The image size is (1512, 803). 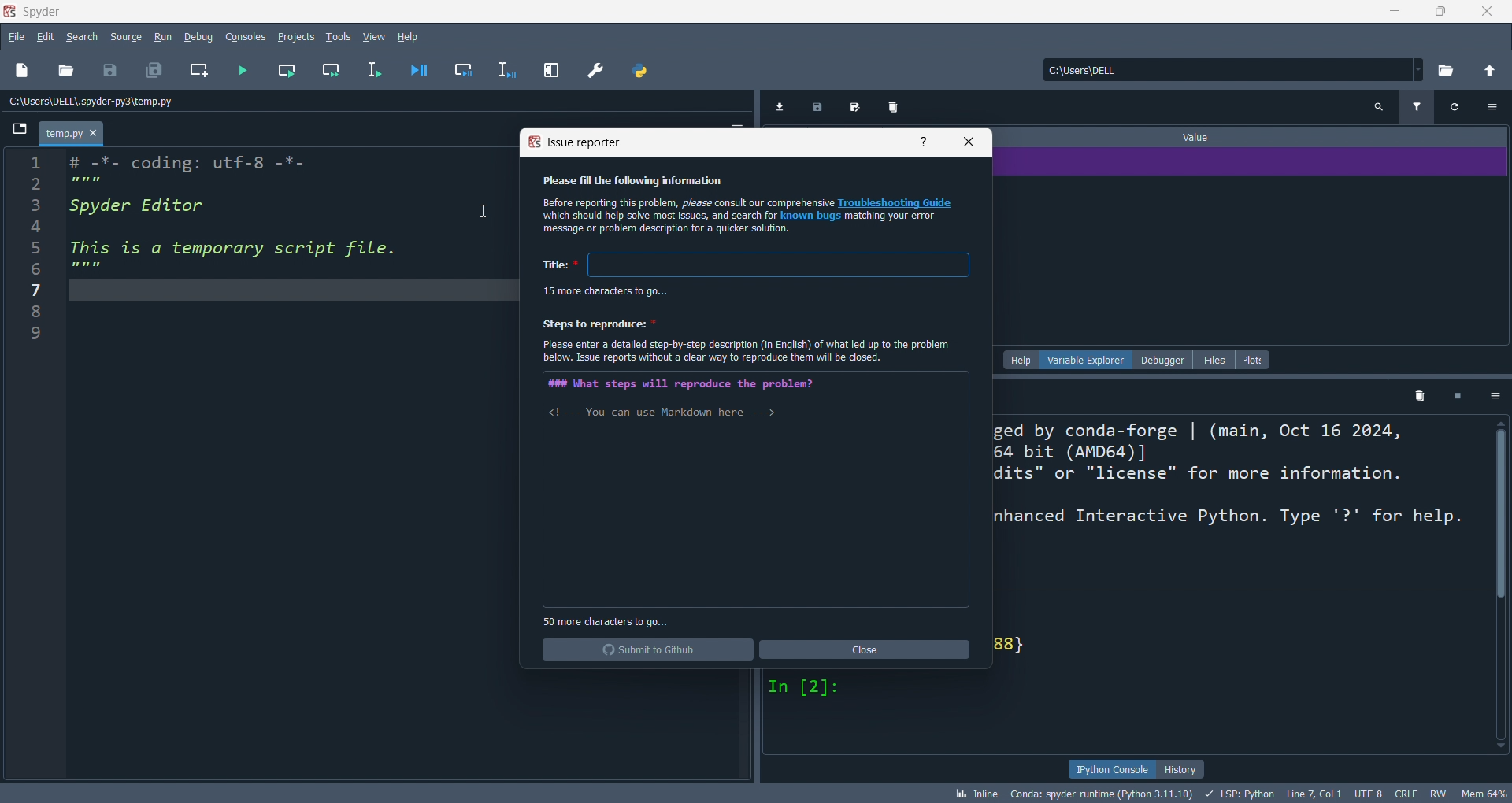 What do you see at coordinates (1457, 394) in the screenshot?
I see `Pause ` at bounding box center [1457, 394].